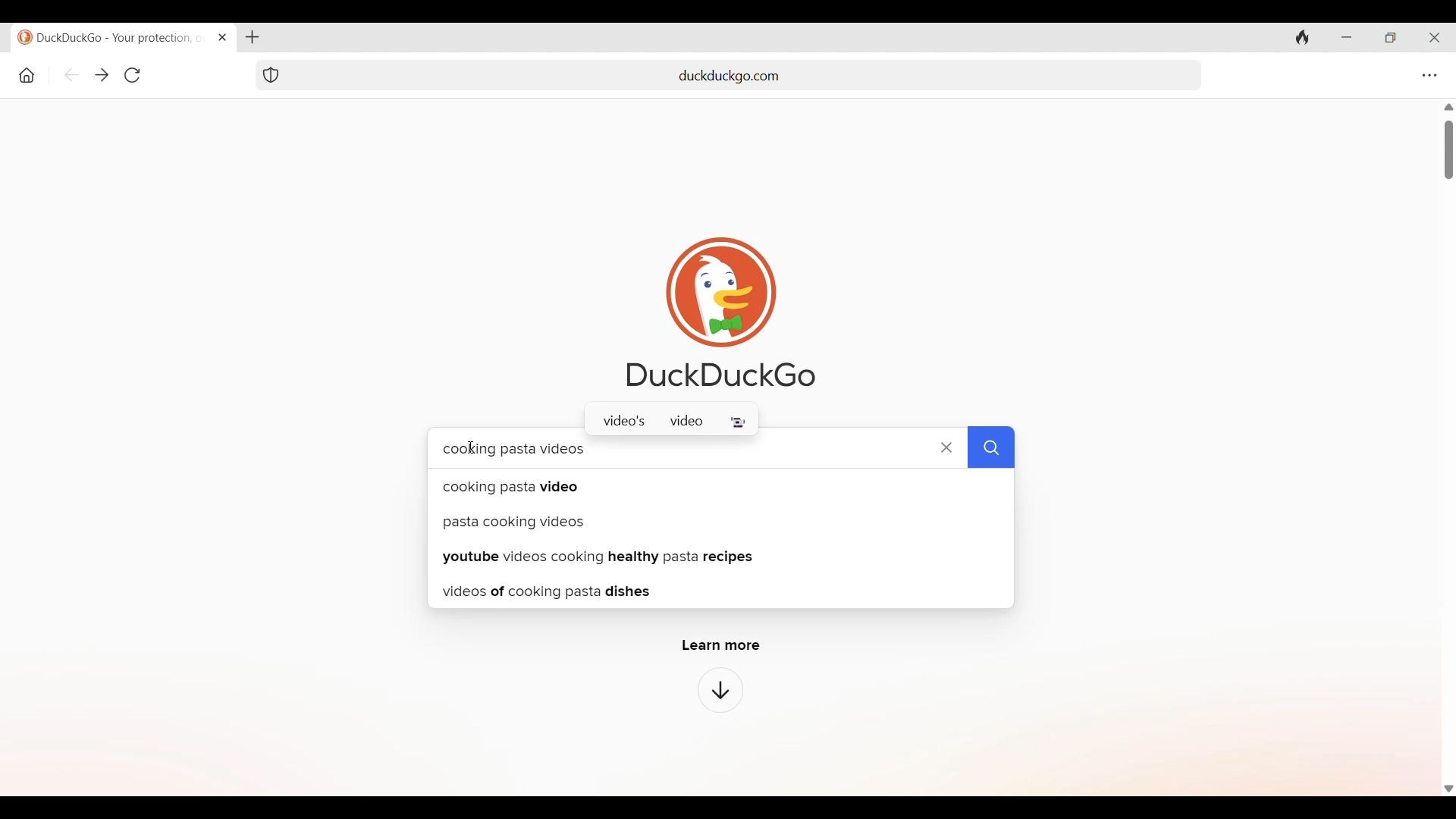  What do you see at coordinates (721, 591) in the screenshot?
I see `Videos of cooking pasta dishes` at bounding box center [721, 591].